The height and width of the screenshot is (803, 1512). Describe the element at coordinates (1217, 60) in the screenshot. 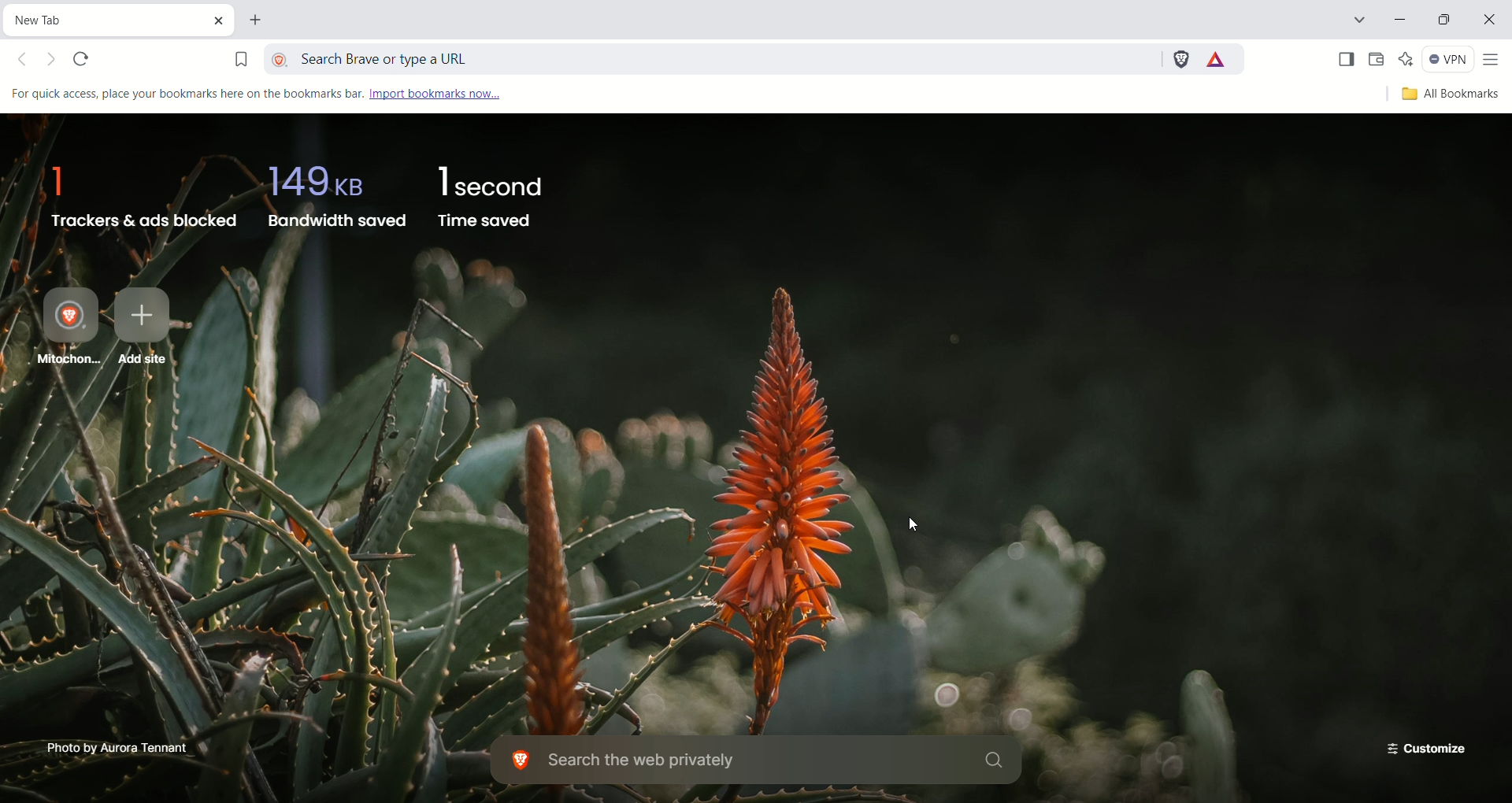

I see `rewards` at that location.